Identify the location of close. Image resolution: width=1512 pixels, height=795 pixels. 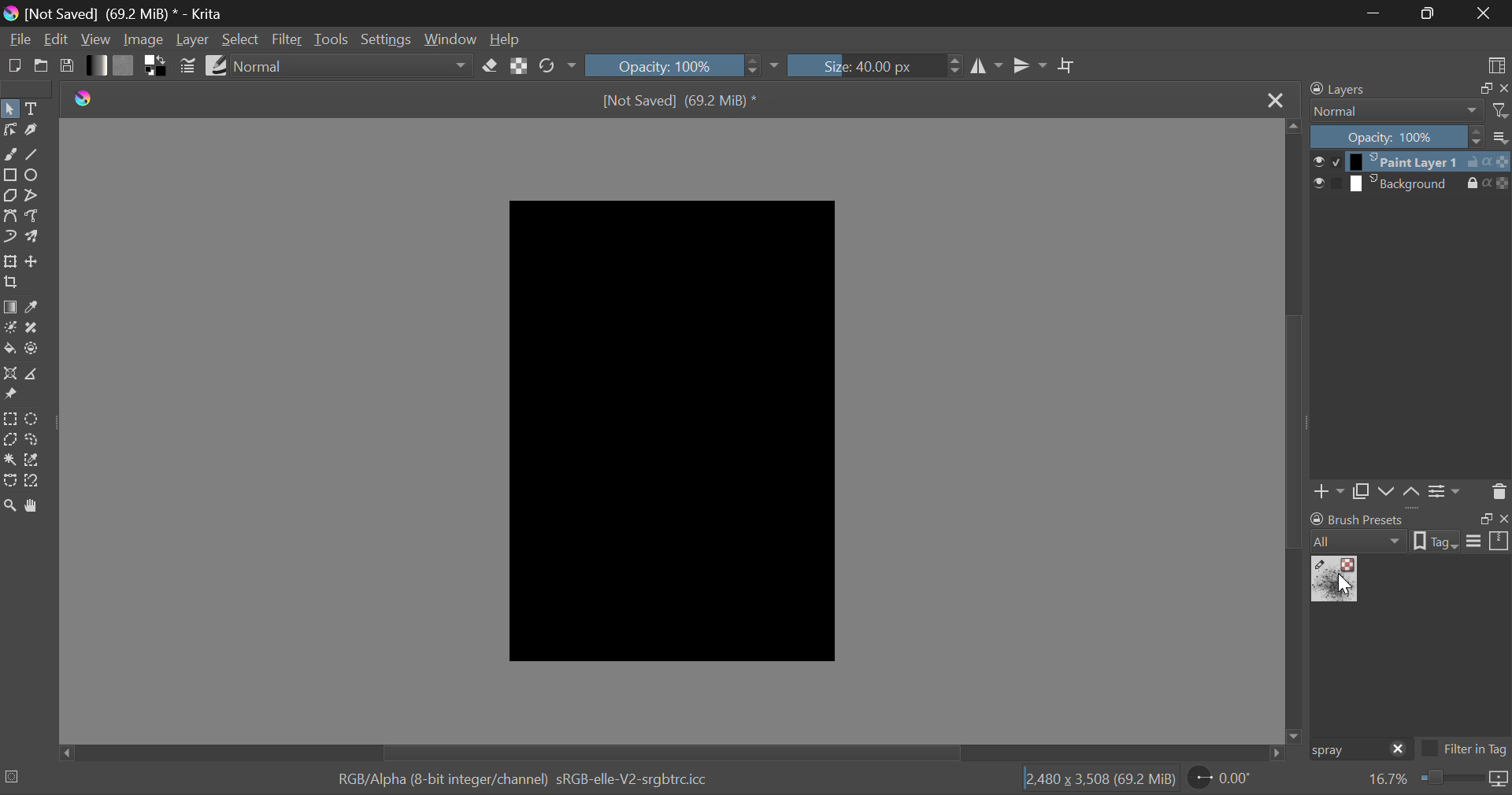
(1503, 519).